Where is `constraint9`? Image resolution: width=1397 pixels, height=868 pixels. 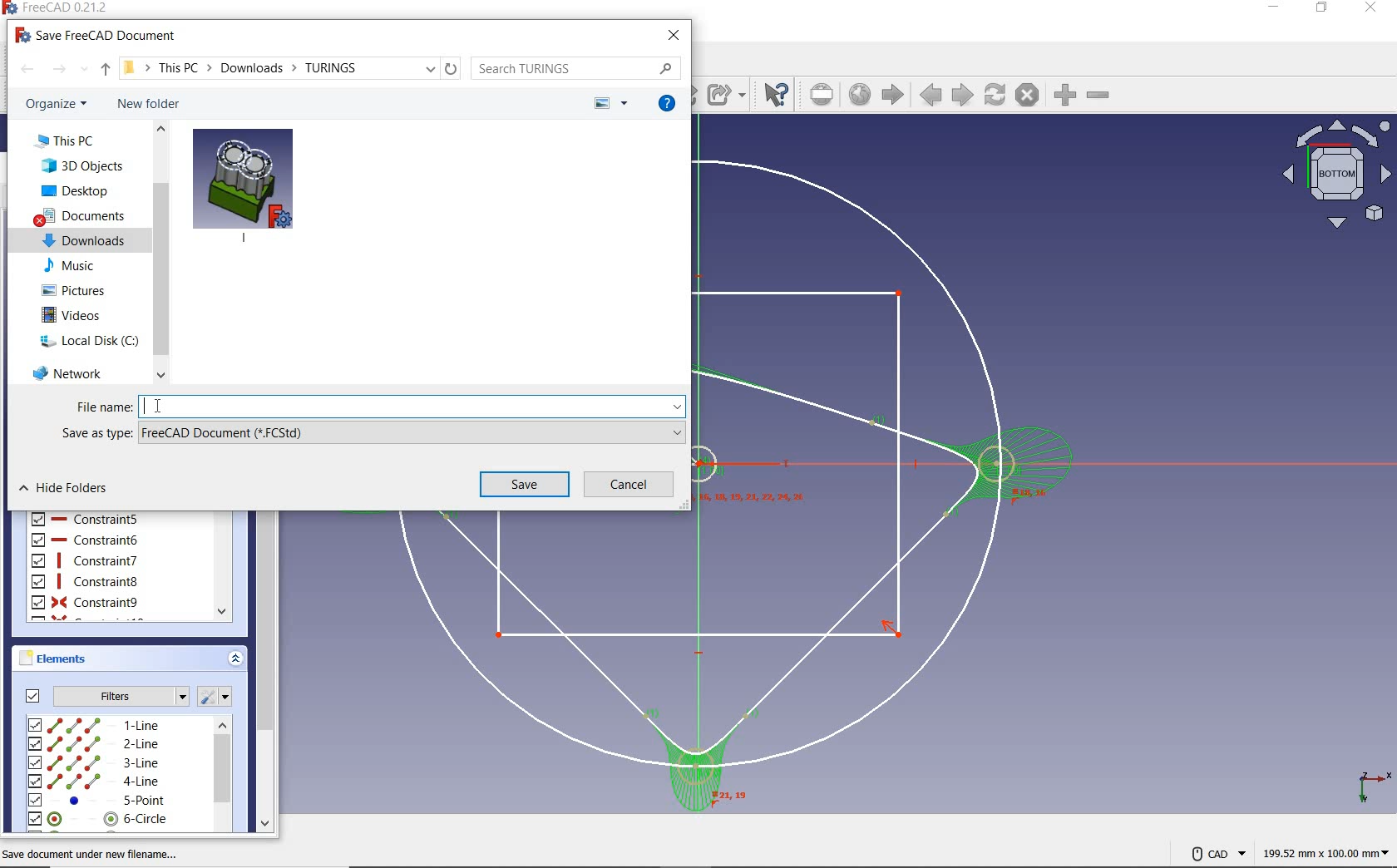
constraint9 is located at coordinates (86, 603).